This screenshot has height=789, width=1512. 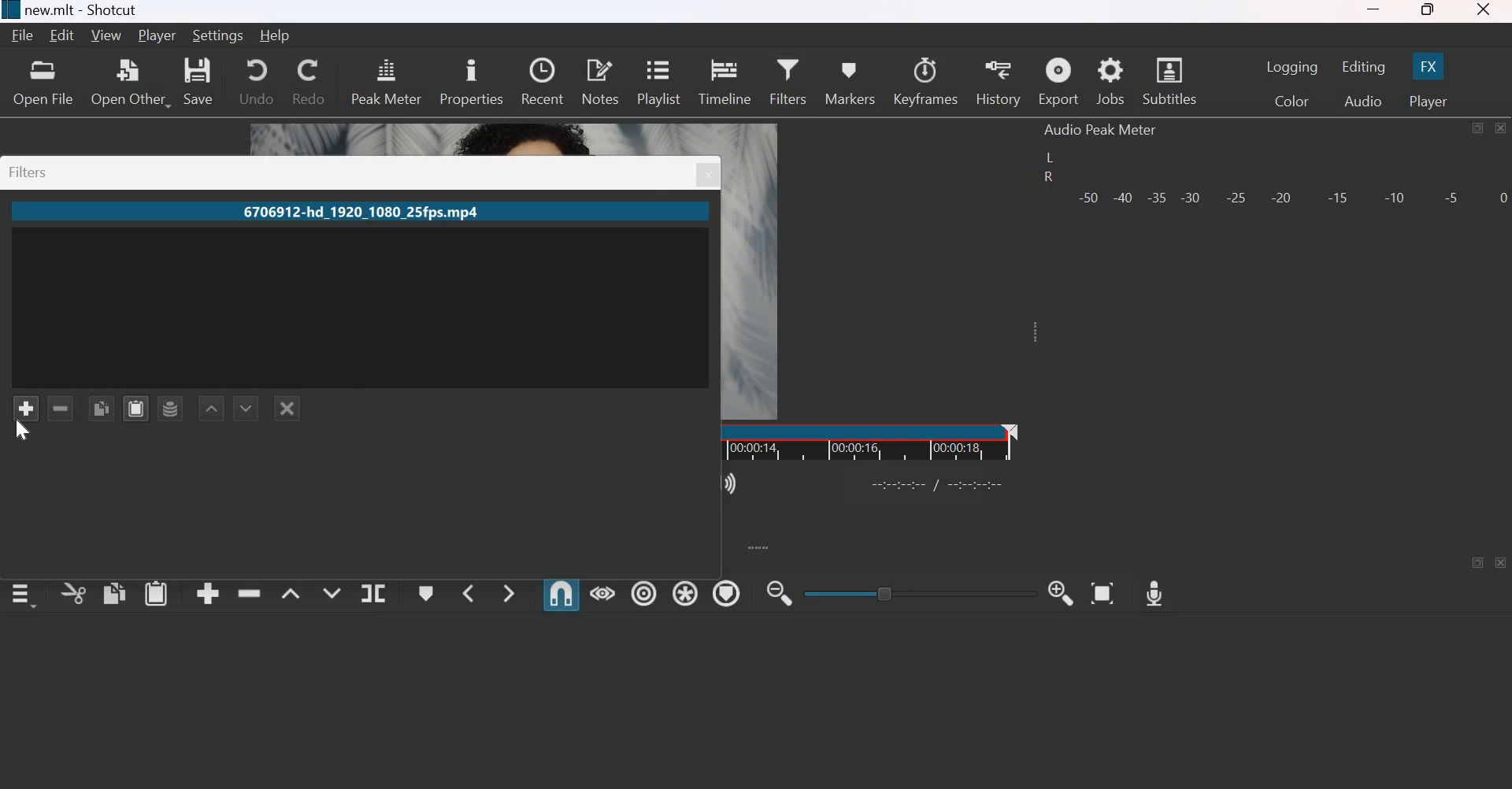 I want to click on new.mlt - Shotcut, so click(x=89, y=10).